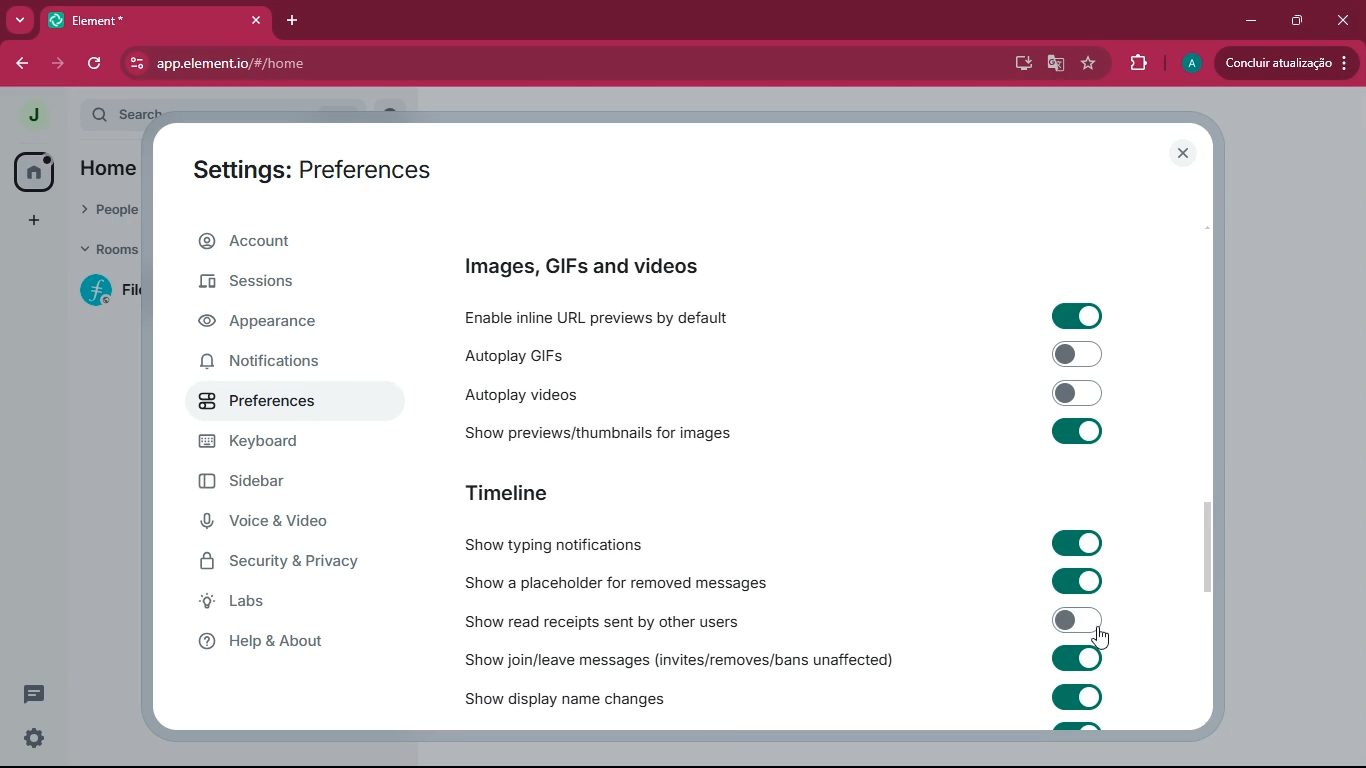 Image resolution: width=1366 pixels, height=768 pixels. Describe the element at coordinates (1078, 354) in the screenshot. I see `toggle on/off` at that location.